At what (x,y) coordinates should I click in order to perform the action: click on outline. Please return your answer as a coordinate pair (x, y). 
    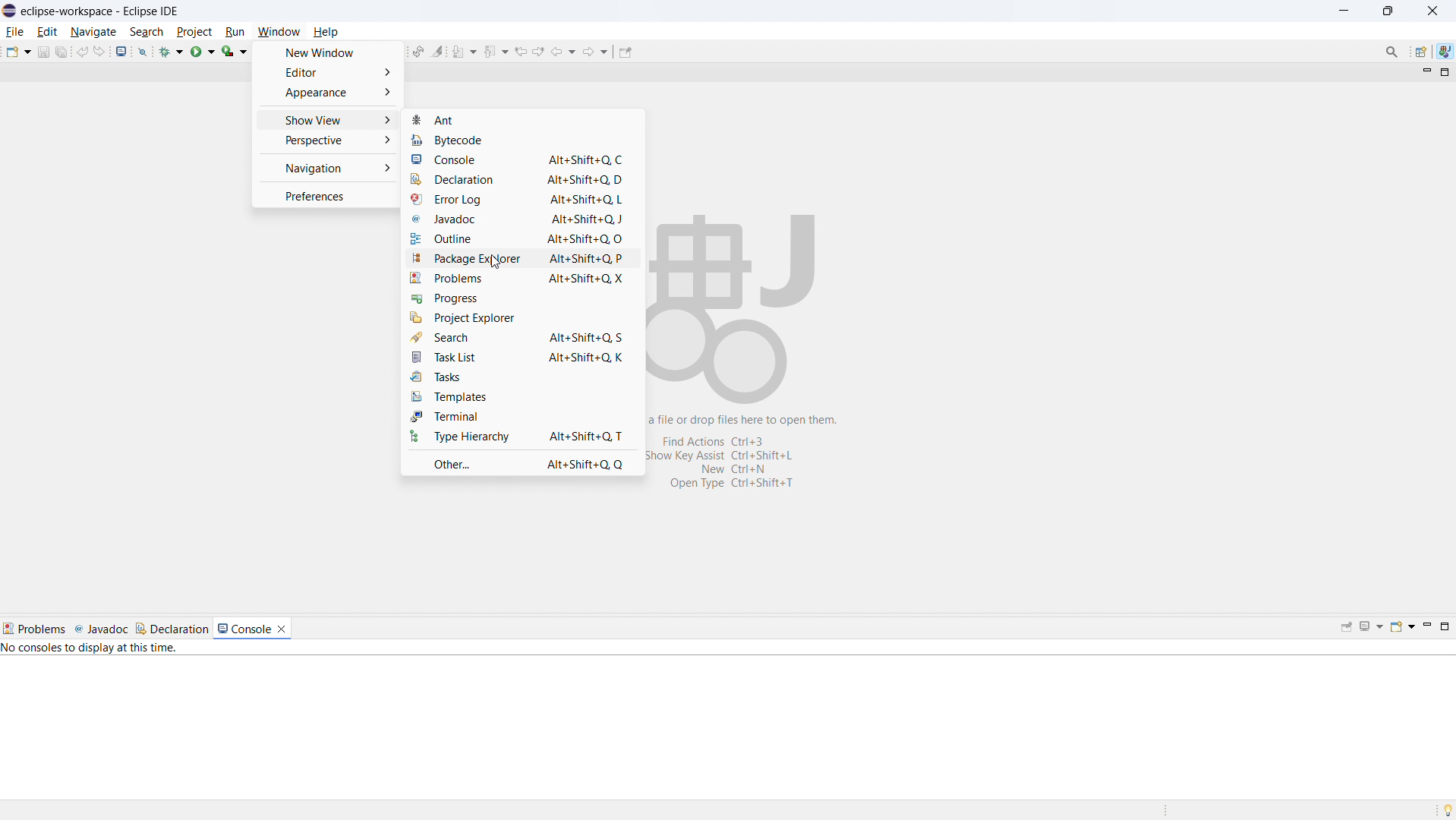
    Looking at the image, I should click on (520, 240).